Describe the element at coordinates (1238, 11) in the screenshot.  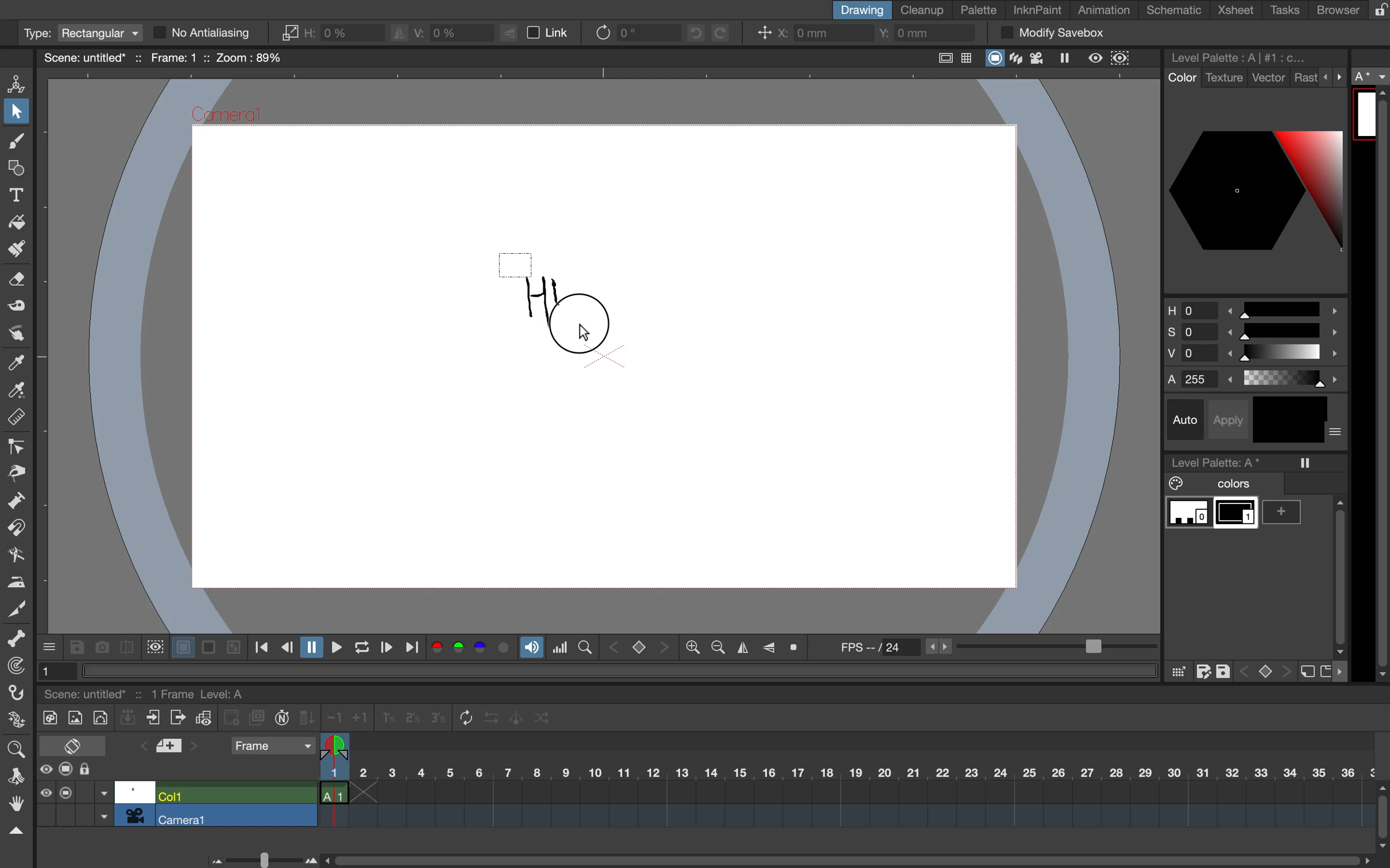
I see `xsheet` at that location.